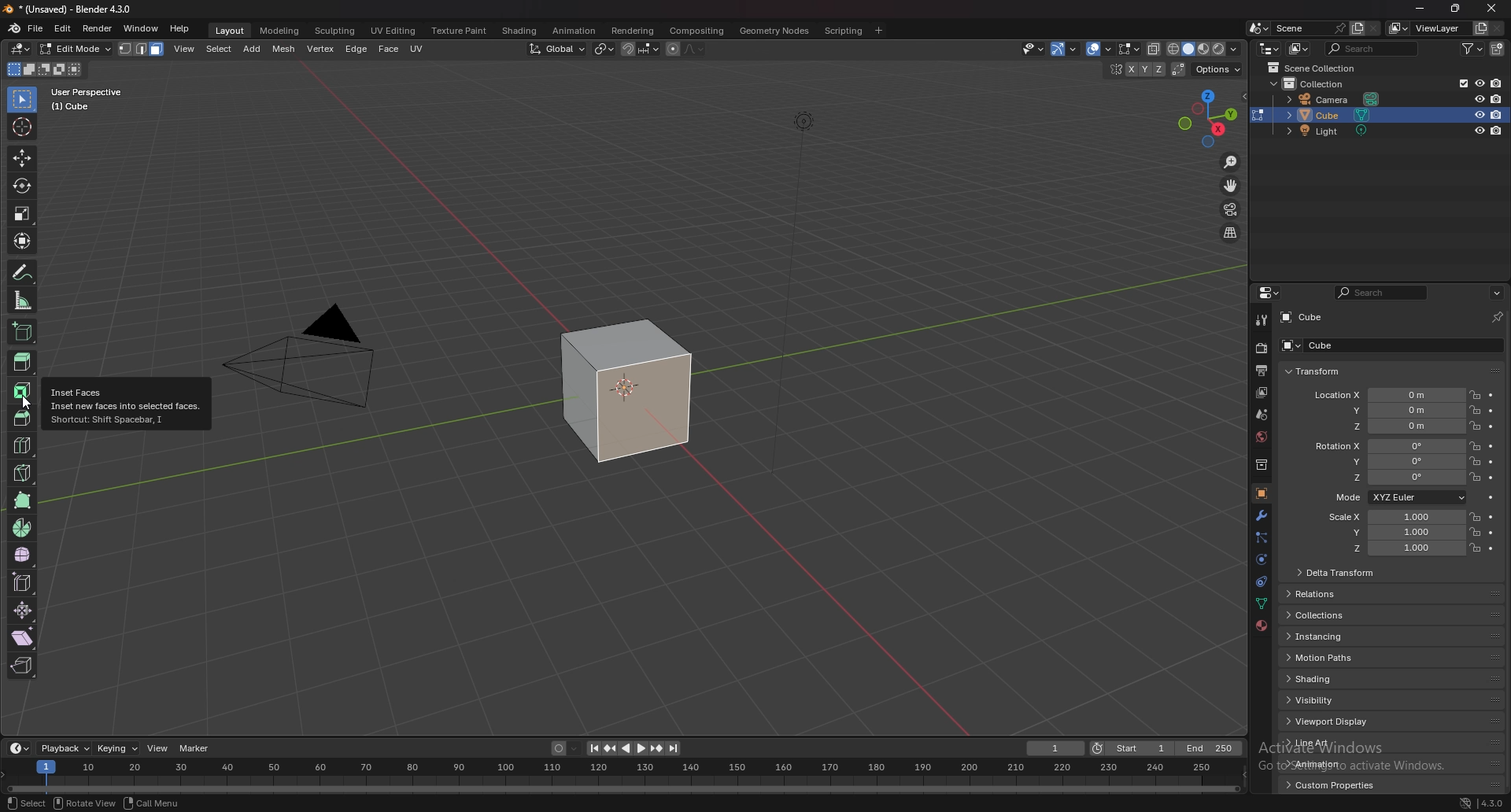 The height and width of the screenshot is (812, 1511). Describe the element at coordinates (1100, 49) in the screenshot. I see `show overlays` at that location.